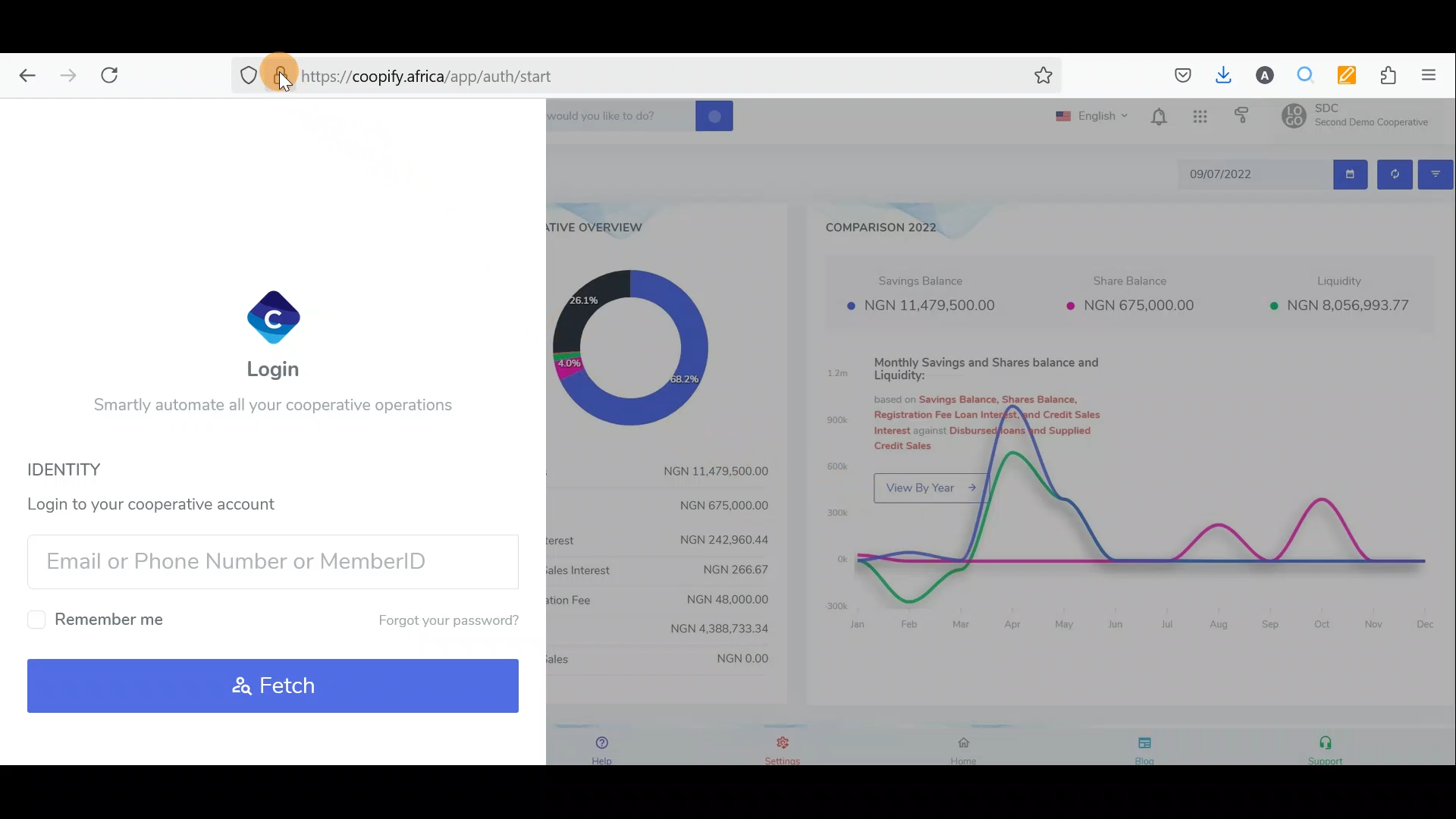 This screenshot has width=1456, height=819. I want to click on Verified, so click(279, 77).